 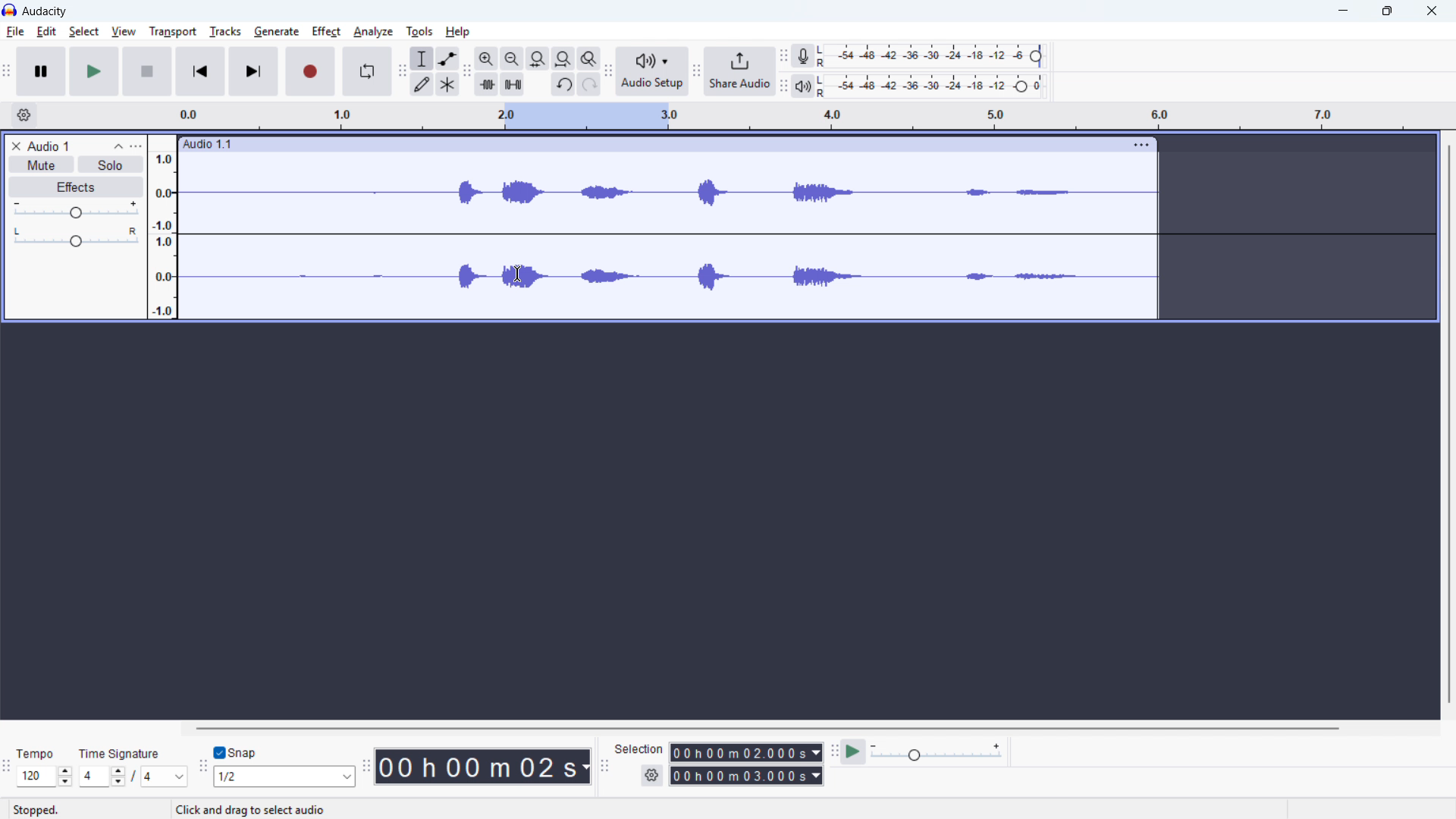 What do you see at coordinates (49, 146) in the screenshot?
I see `Audio 1` at bounding box center [49, 146].